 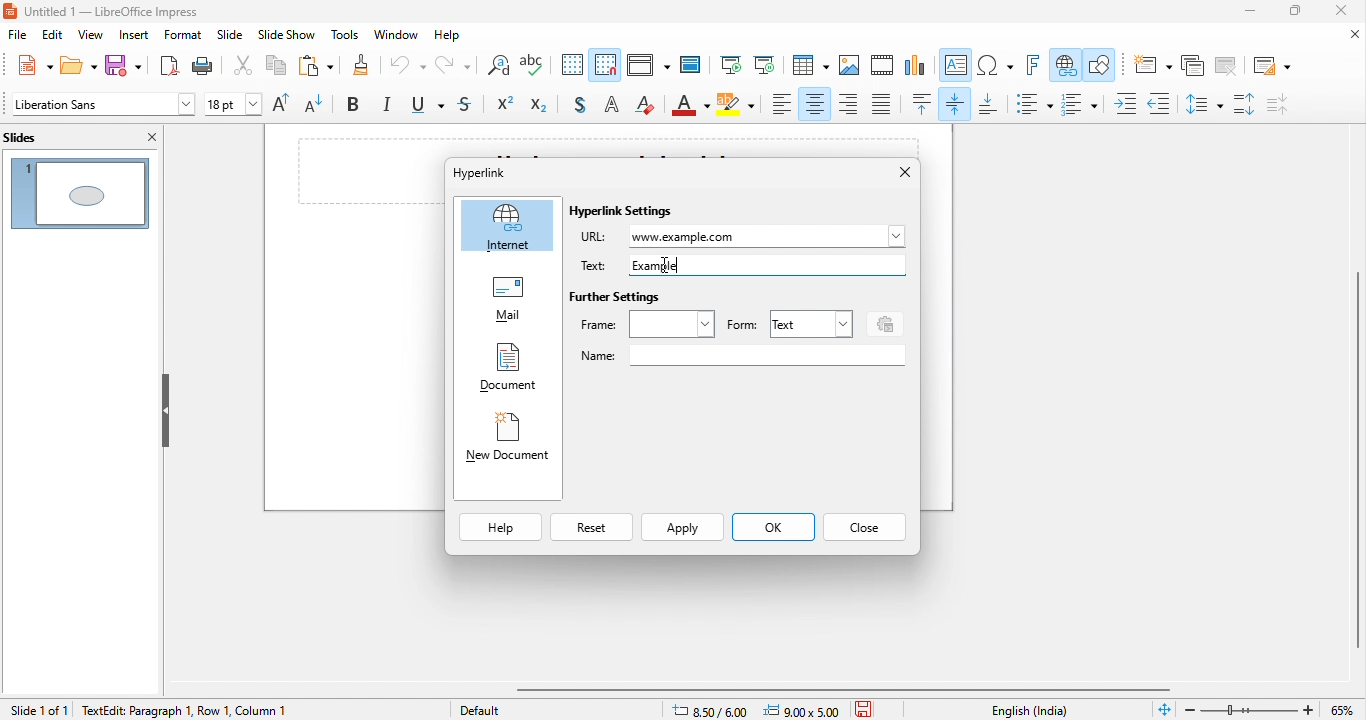 I want to click on delete slide, so click(x=1226, y=66).